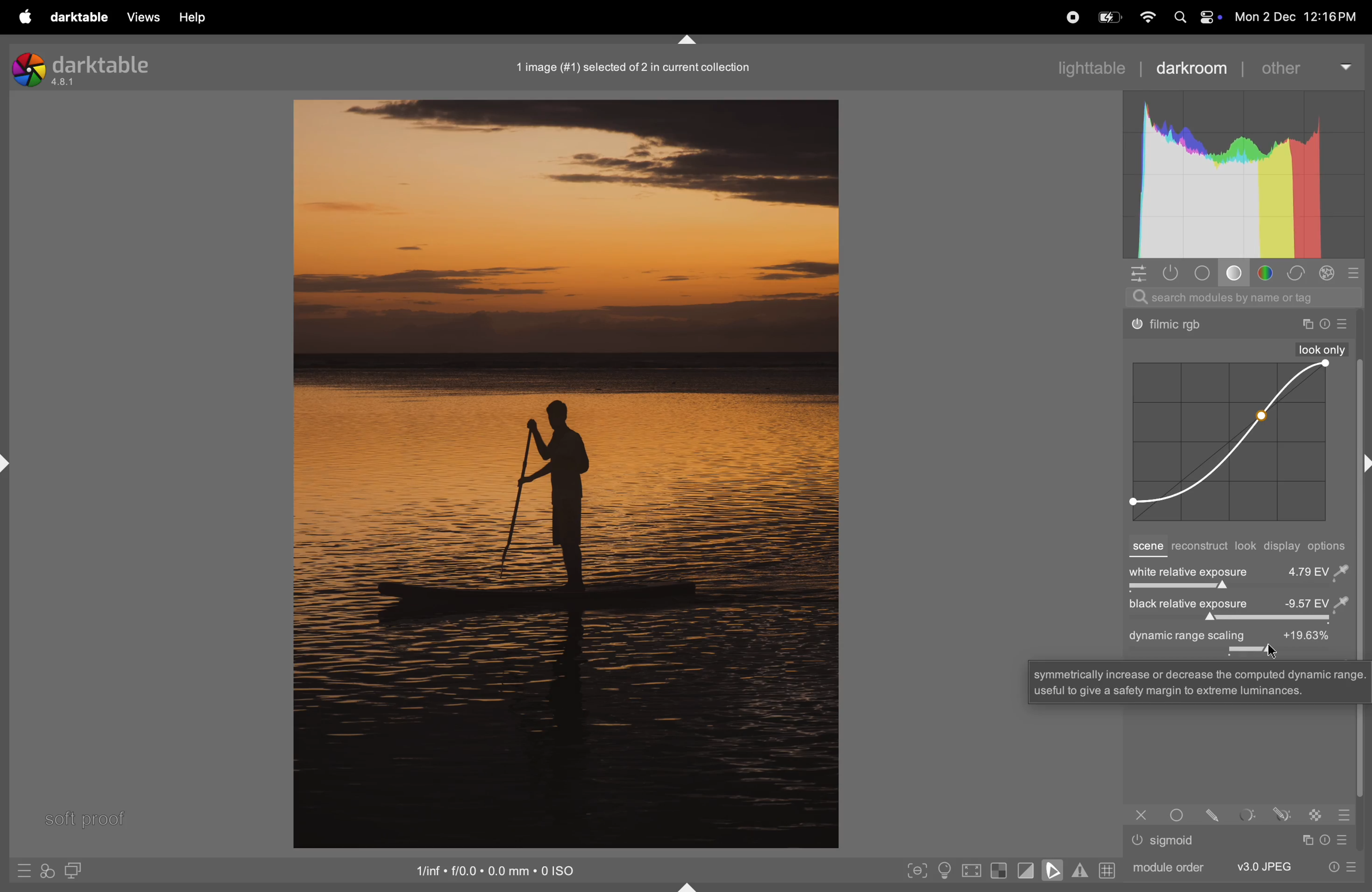 This screenshot has width=1372, height=892. Describe the element at coordinates (1137, 840) in the screenshot. I see `` at that location.